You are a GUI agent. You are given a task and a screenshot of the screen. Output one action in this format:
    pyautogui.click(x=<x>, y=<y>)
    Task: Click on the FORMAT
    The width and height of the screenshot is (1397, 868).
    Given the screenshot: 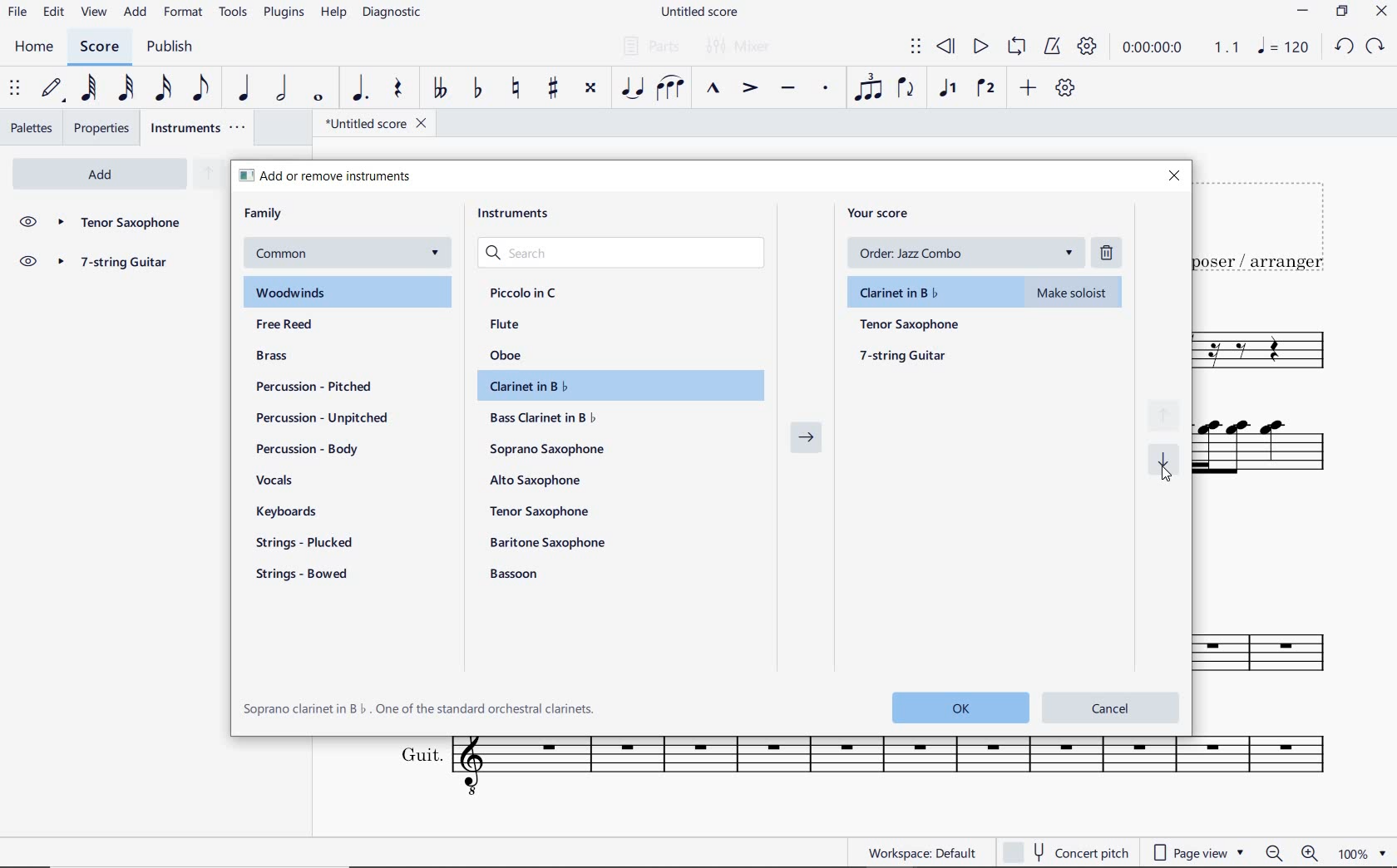 What is the action you would take?
    pyautogui.click(x=185, y=12)
    